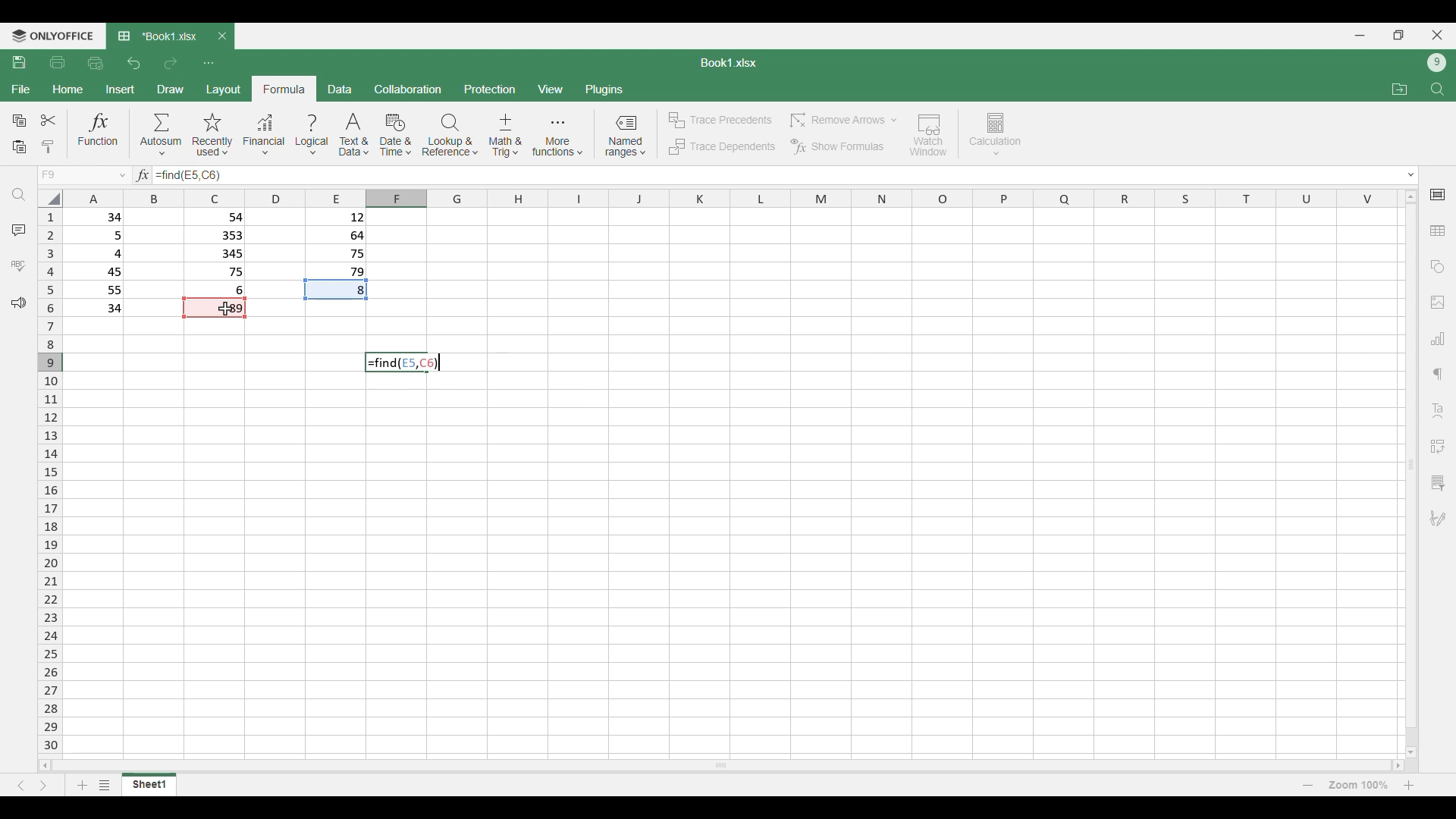 This screenshot has width=1456, height=819. What do you see at coordinates (395, 135) in the screenshot?
I see `Date and time` at bounding box center [395, 135].